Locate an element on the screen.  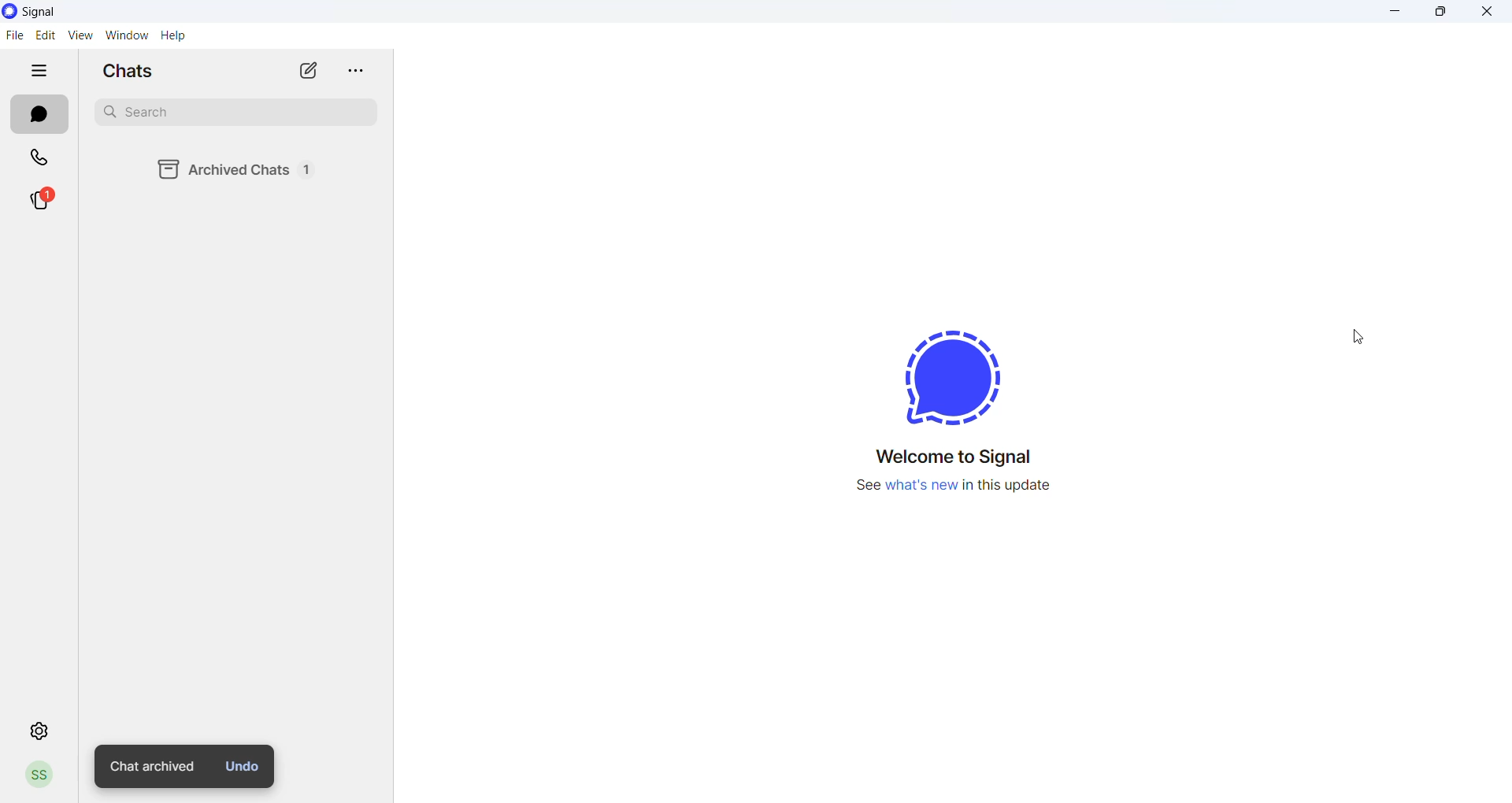
chat archived notification is located at coordinates (150, 767).